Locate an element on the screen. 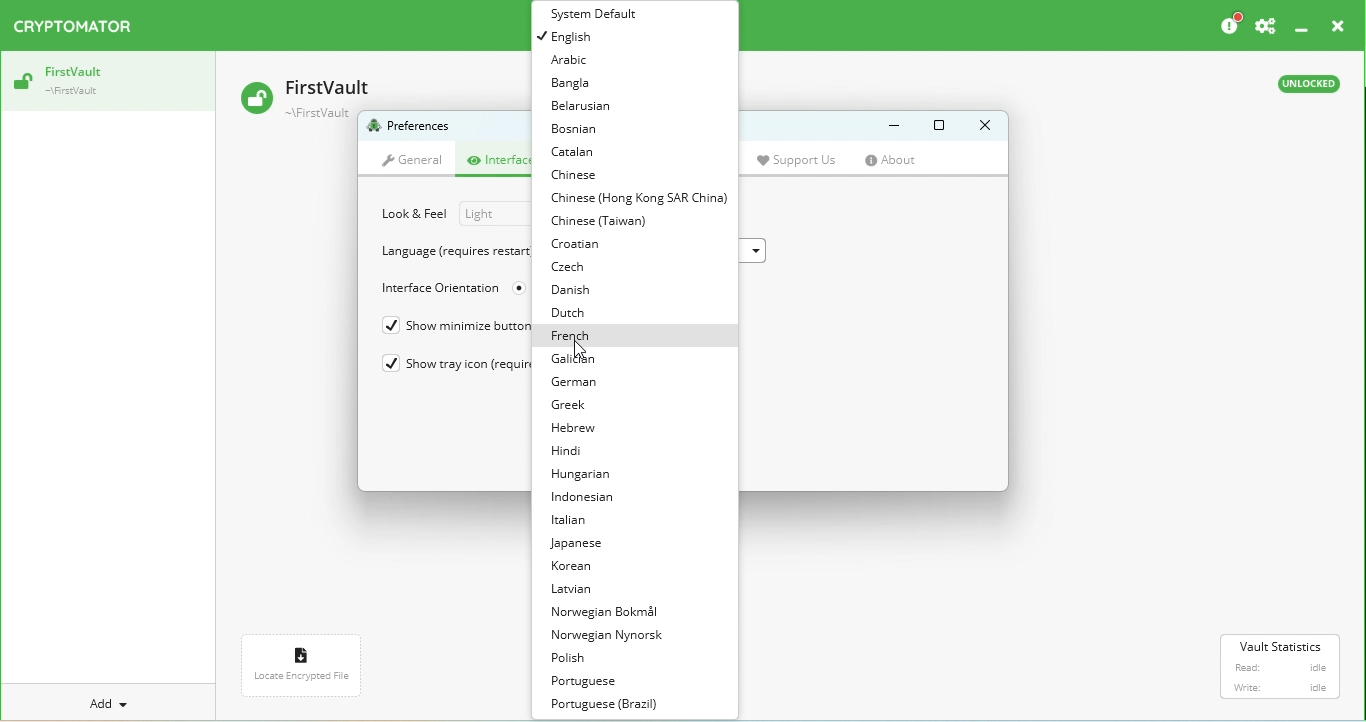 This screenshot has width=1366, height=722. Greek is located at coordinates (570, 408).